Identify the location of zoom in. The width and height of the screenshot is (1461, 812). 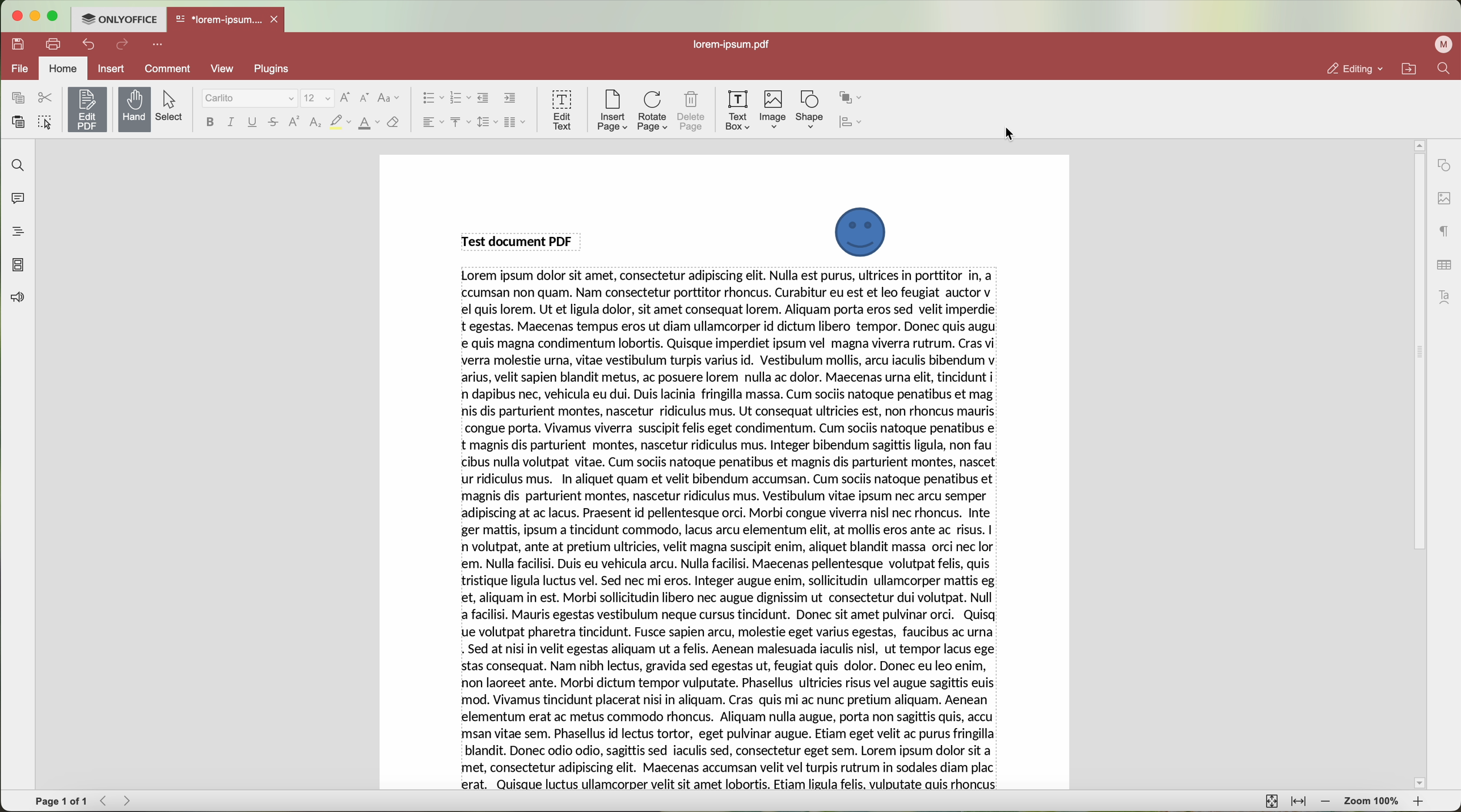
(1418, 802).